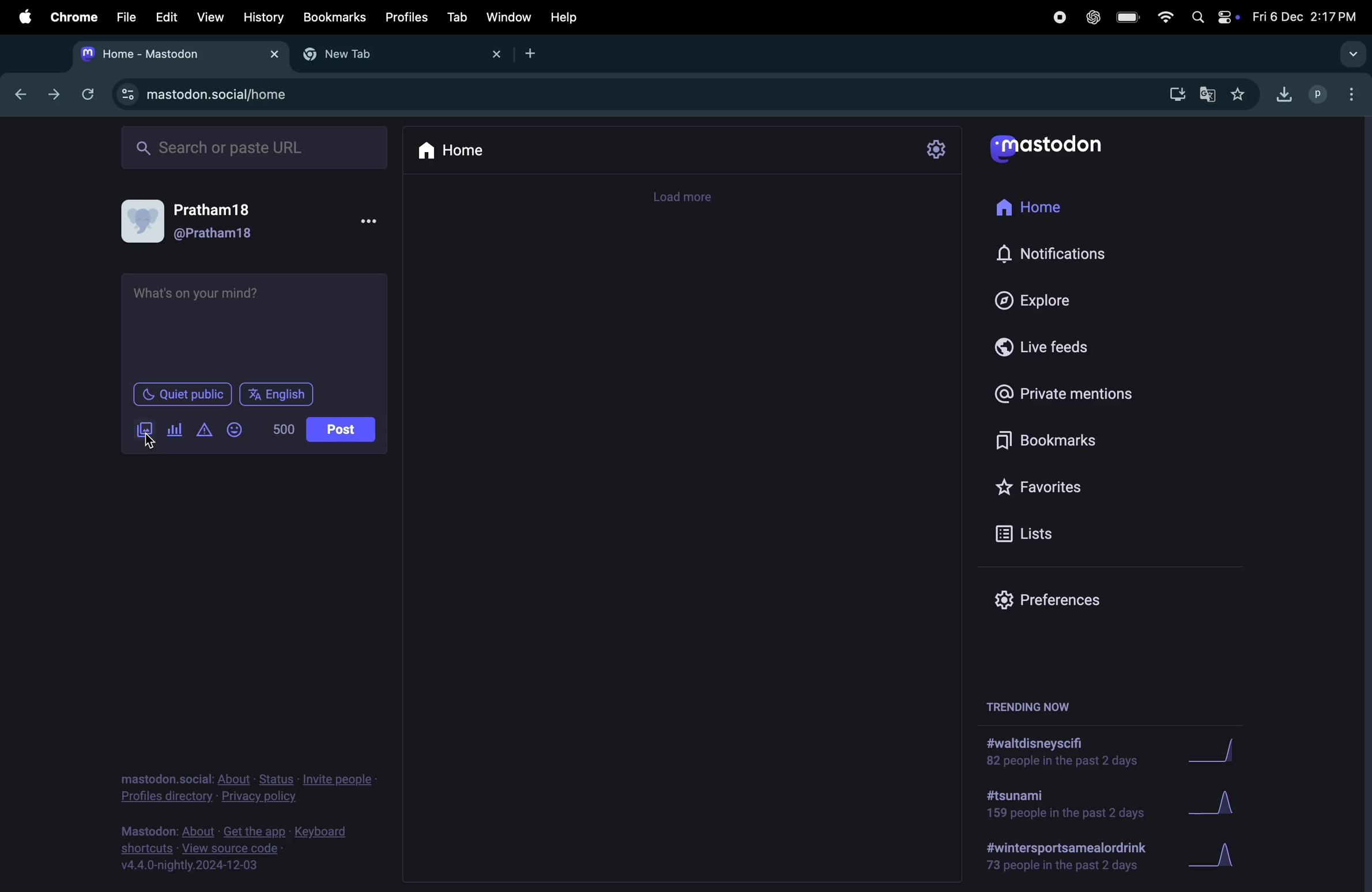  Describe the element at coordinates (1241, 93) in the screenshot. I see `favourites` at that location.